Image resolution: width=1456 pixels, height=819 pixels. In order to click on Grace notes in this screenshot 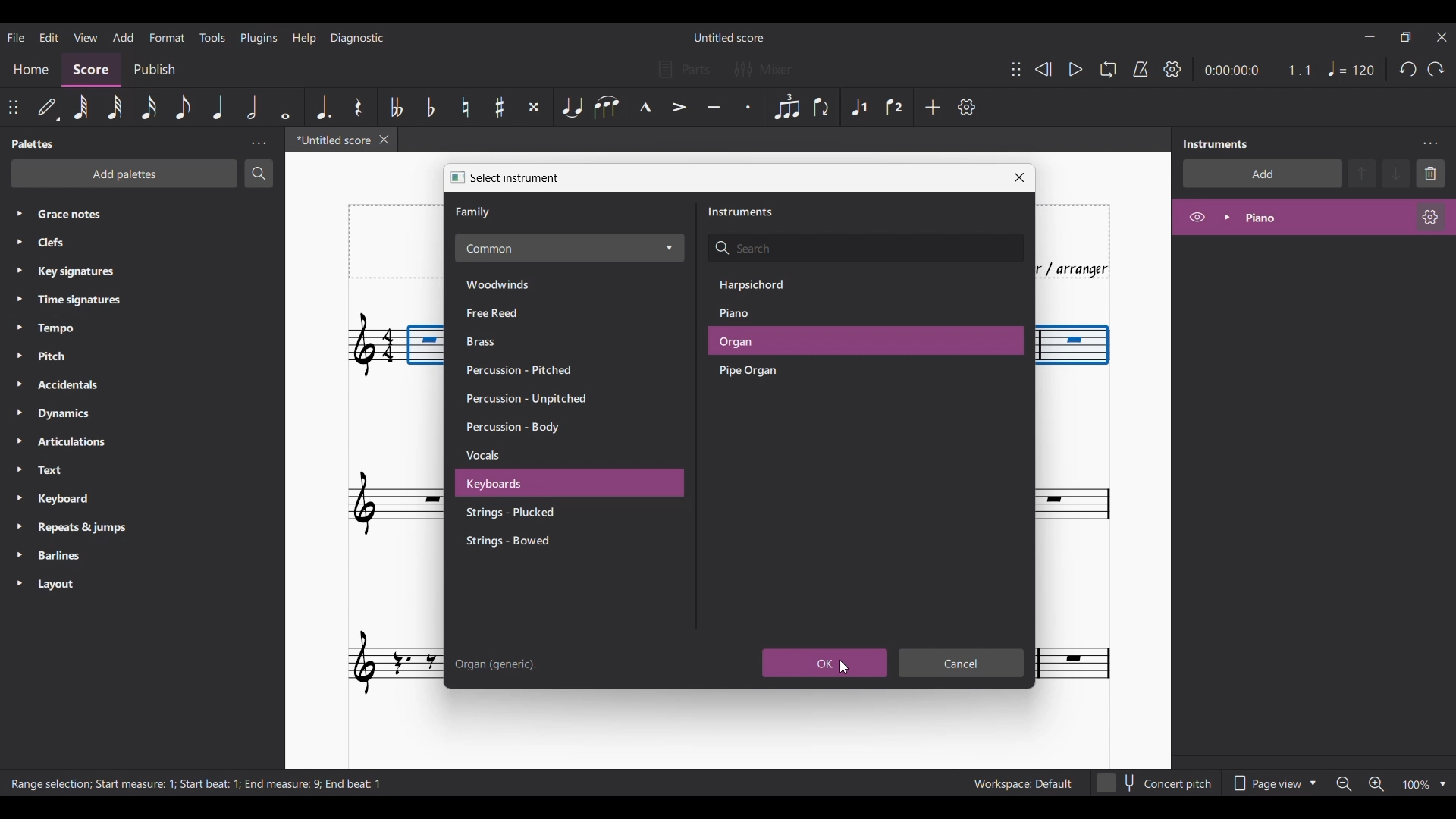, I will do `click(153, 212)`.